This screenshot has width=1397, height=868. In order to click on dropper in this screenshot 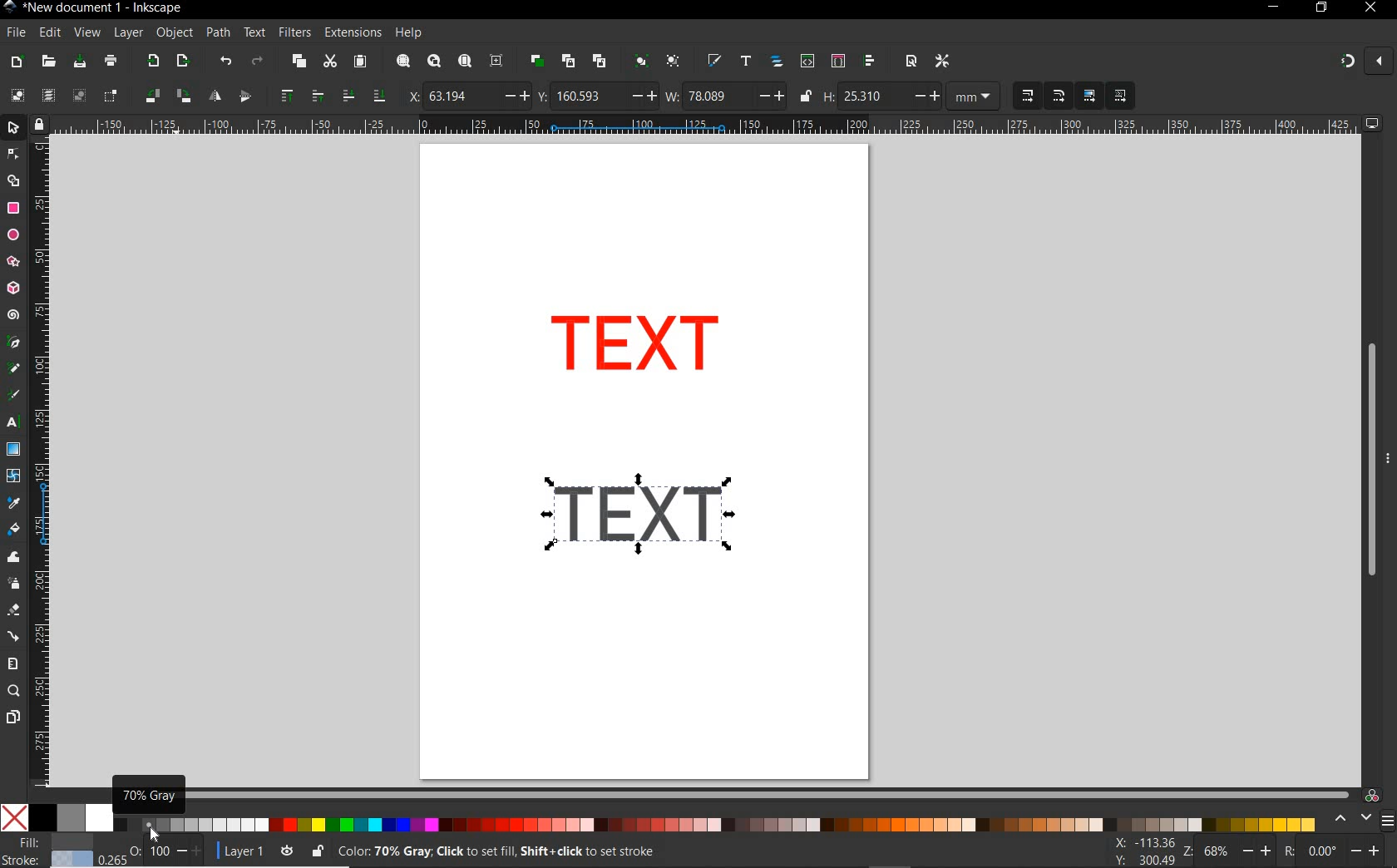, I will do `click(14, 503)`.